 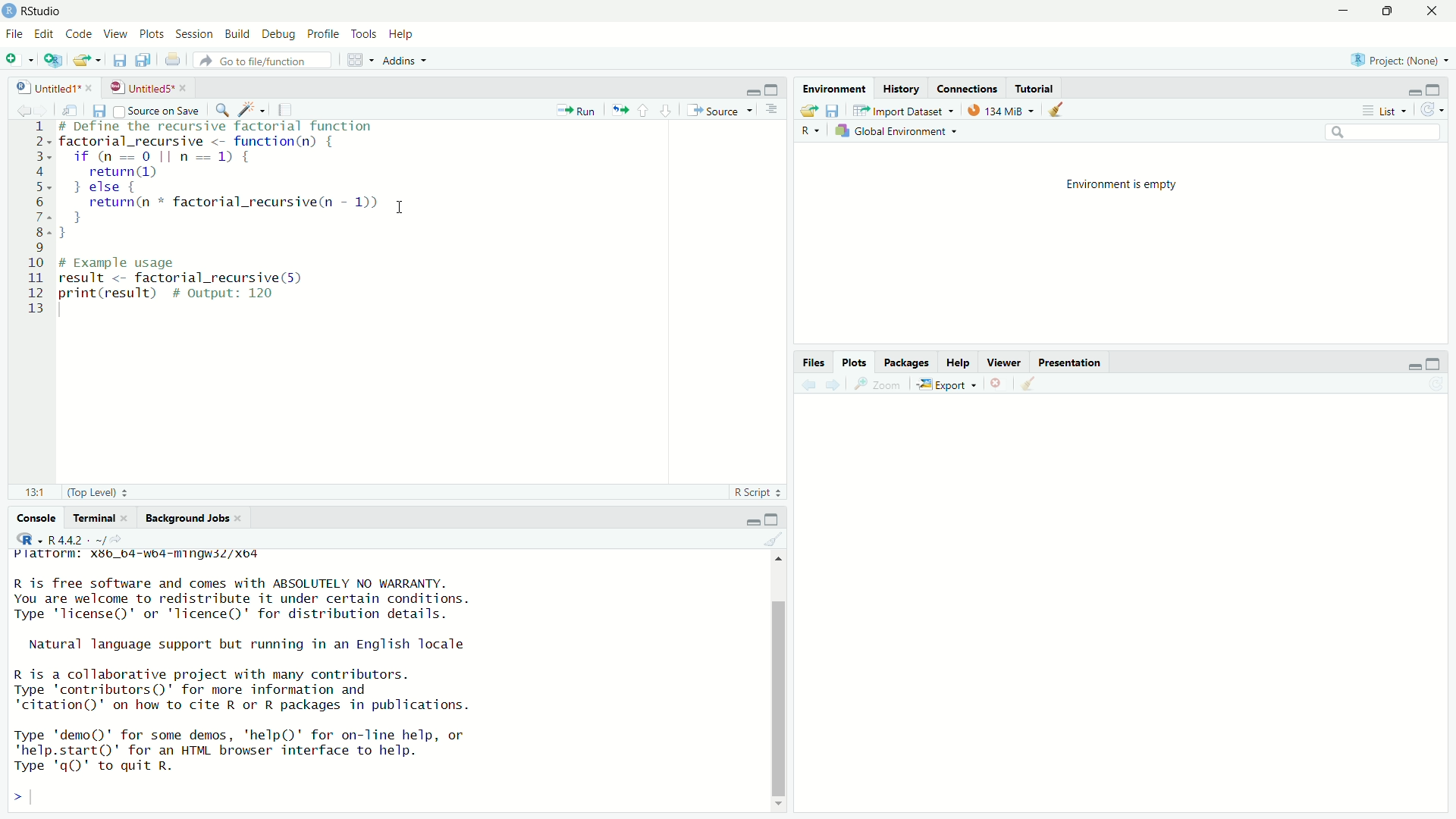 I want to click on Session, so click(x=193, y=35).